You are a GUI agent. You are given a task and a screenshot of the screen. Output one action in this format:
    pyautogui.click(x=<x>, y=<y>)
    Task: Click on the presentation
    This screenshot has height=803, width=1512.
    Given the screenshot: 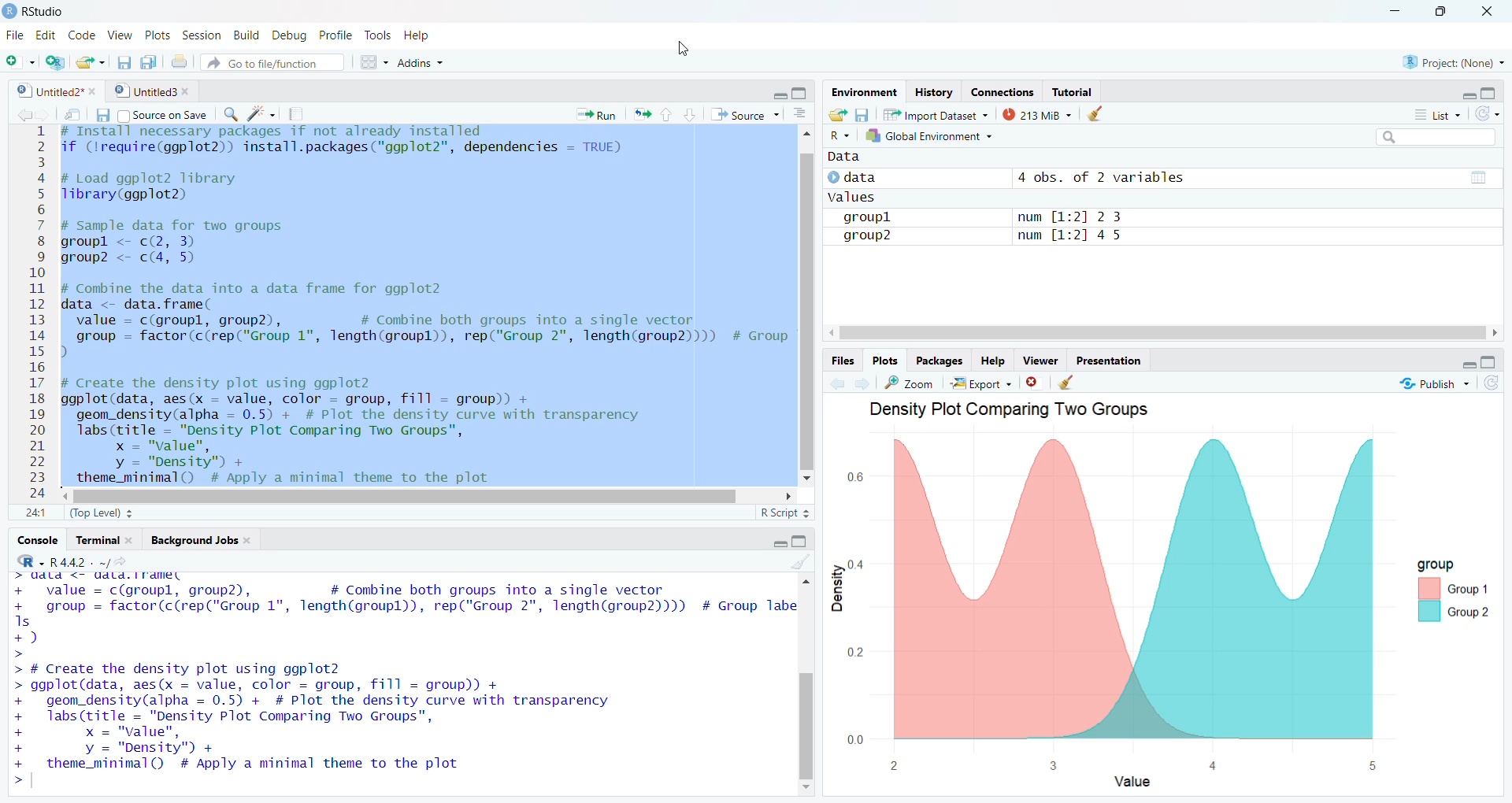 What is the action you would take?
    pyautogui.click(x=1117, y=360)
    